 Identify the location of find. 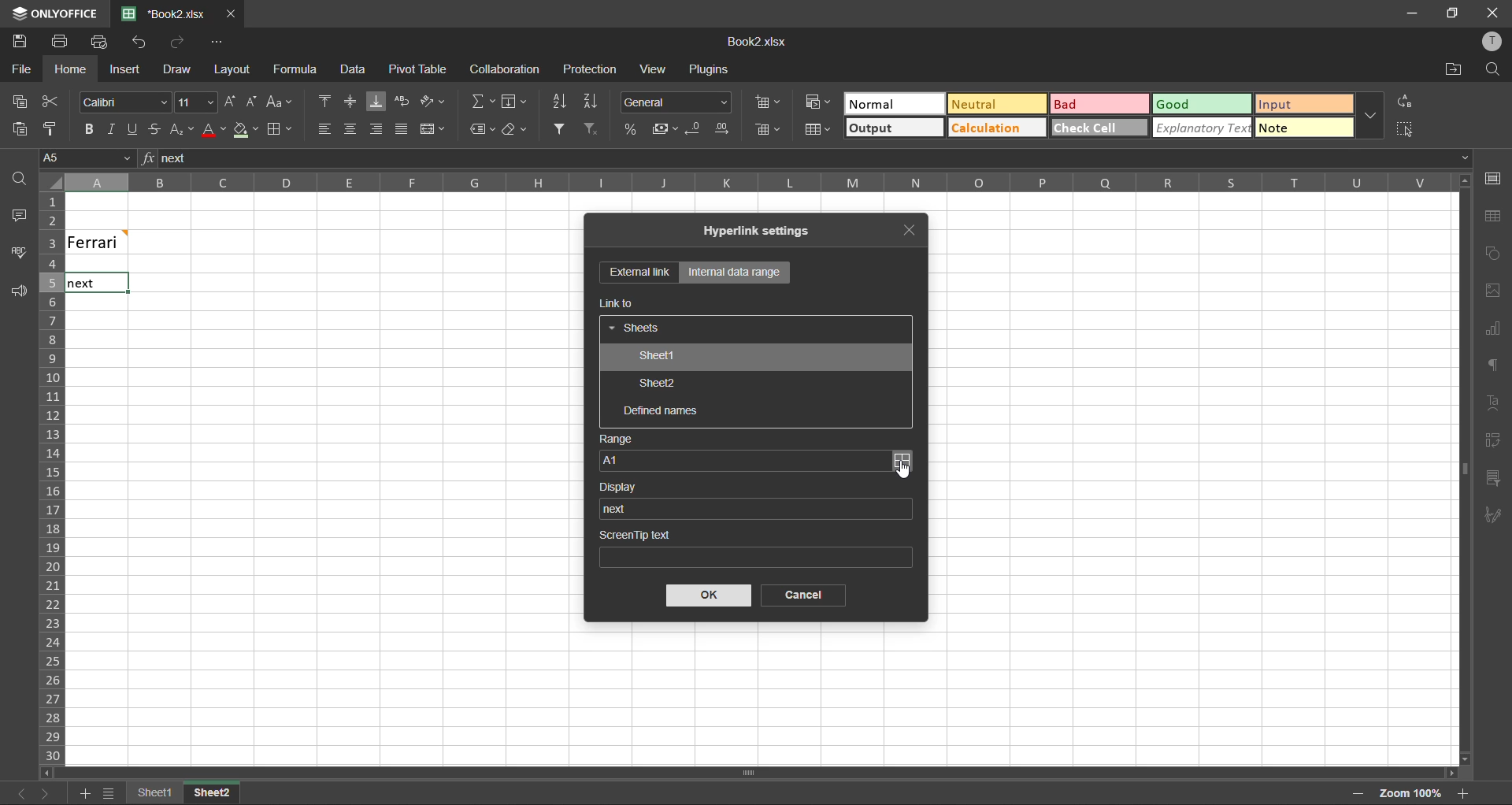
(1493, 69).